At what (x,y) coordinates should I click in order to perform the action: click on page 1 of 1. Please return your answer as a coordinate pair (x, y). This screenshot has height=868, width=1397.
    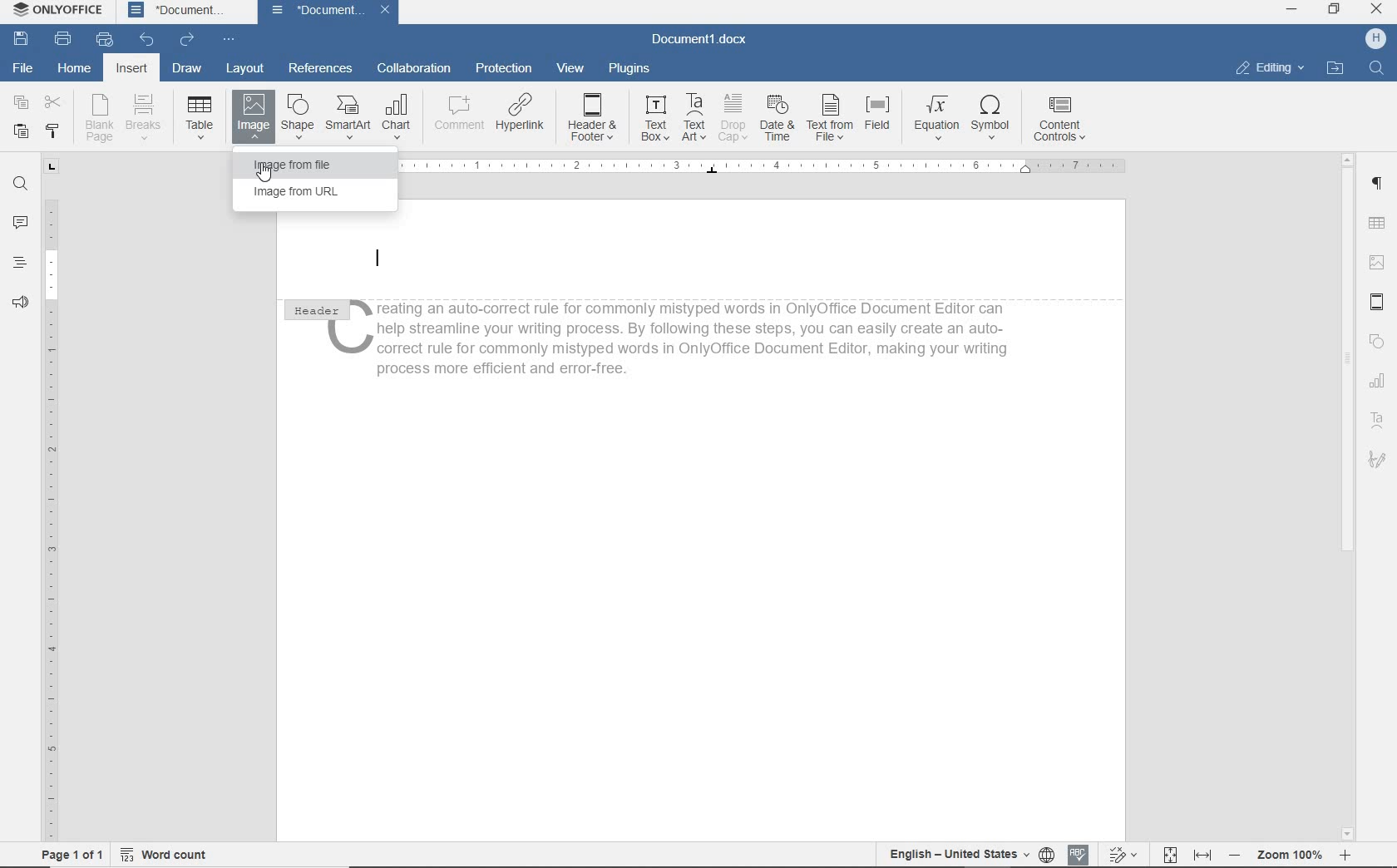
    Looking at the image, I should click on (72, 856).